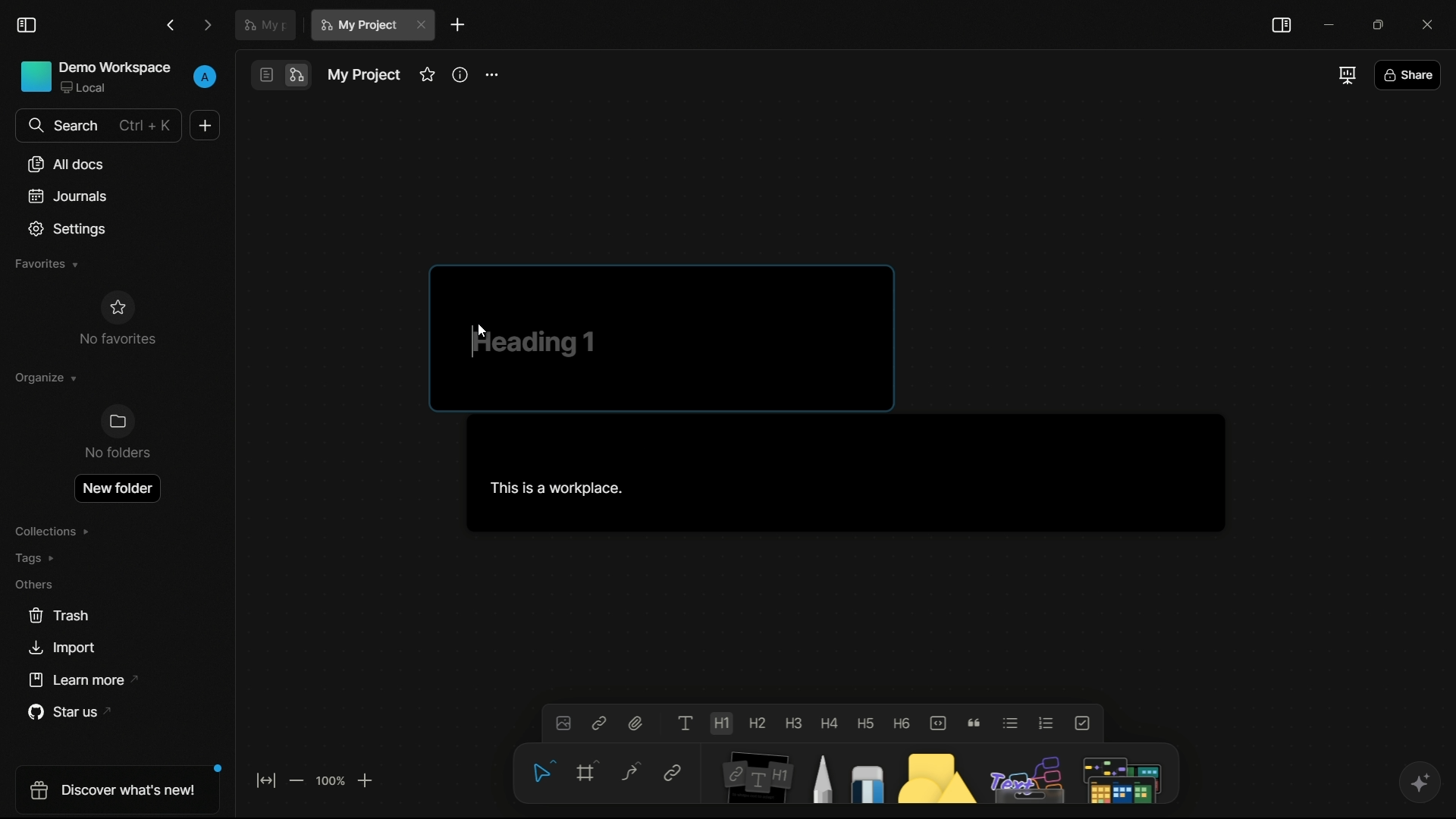 The width and height of the screenshot is (1456, 819). I want to click on attach, so click(637, 720).